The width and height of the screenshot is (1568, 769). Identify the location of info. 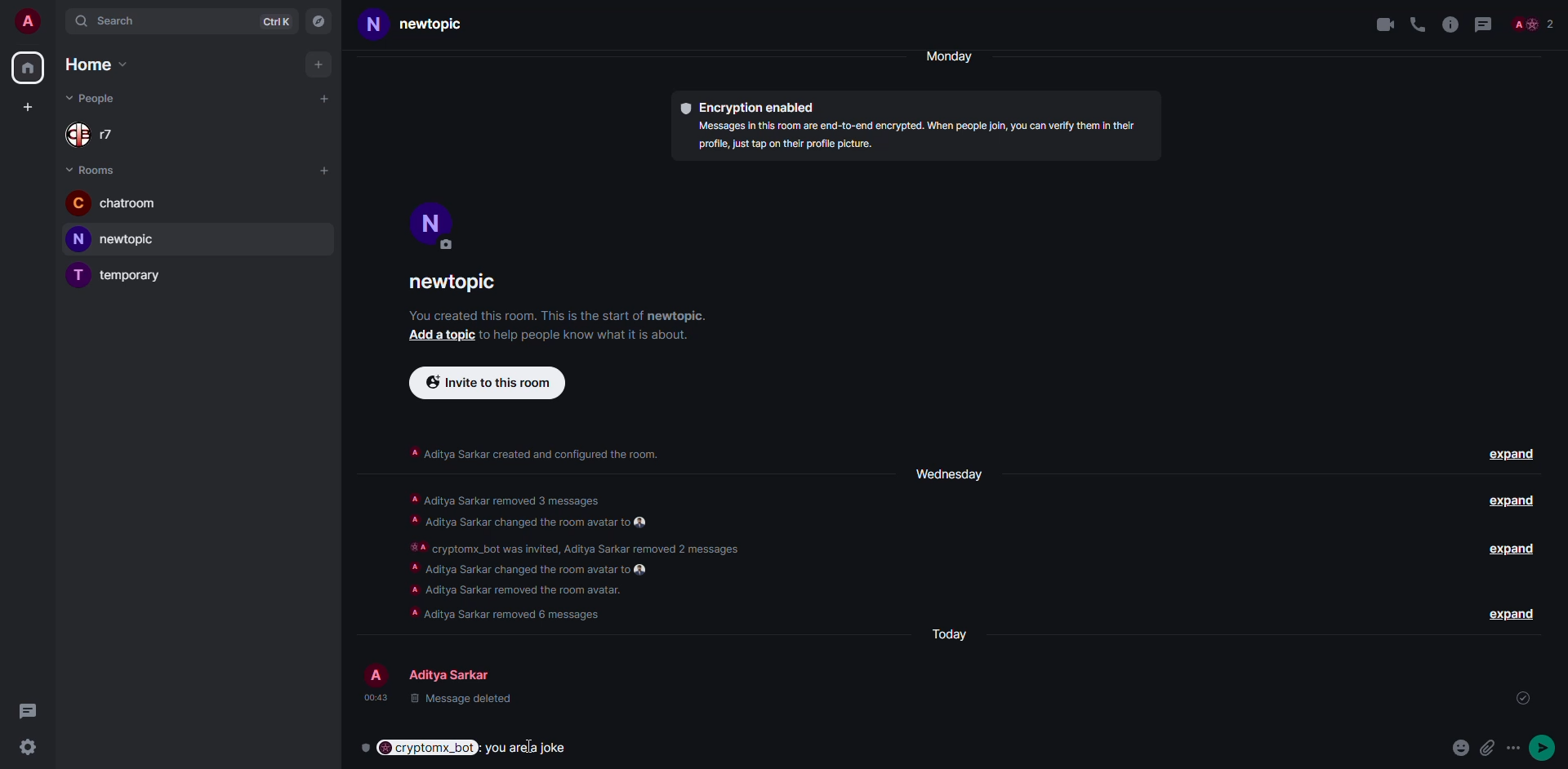
(576, 558).